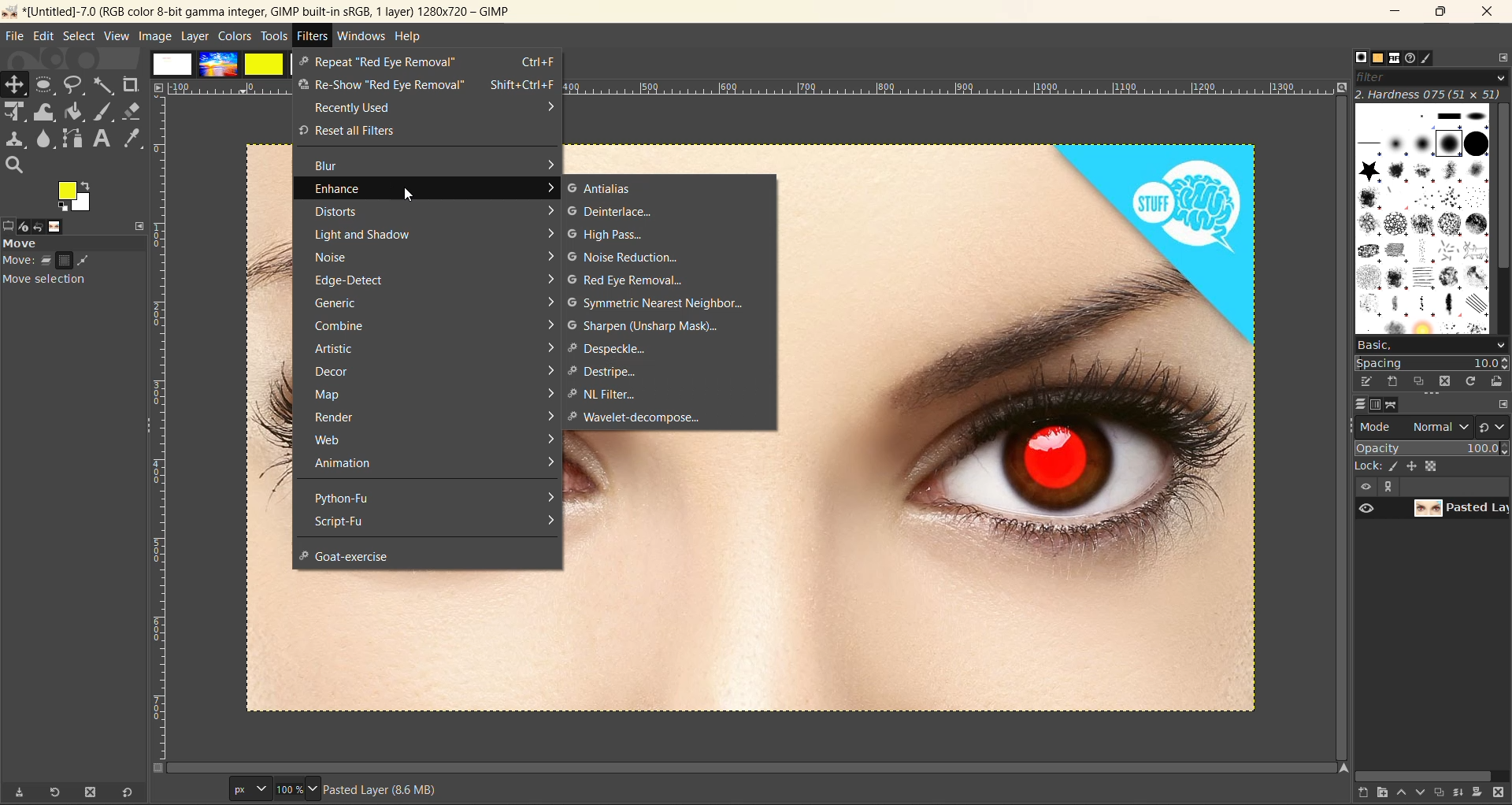  Describe the element at coordinates (61, 226) in the screenshot. I see `images` at that location.